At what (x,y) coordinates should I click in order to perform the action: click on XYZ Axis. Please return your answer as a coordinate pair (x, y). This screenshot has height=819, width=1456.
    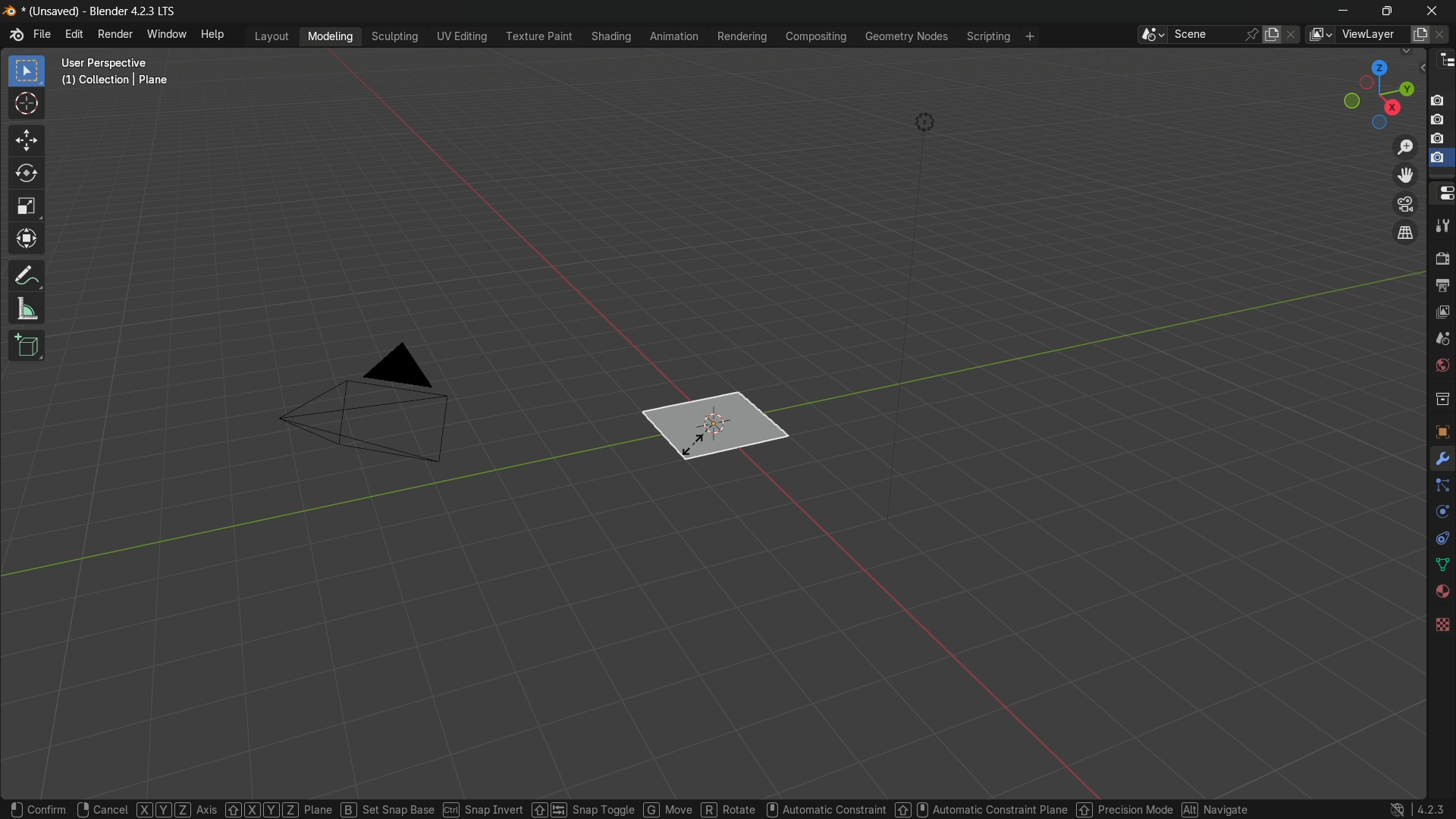
    Looking at the image, I should click on (175, 805).